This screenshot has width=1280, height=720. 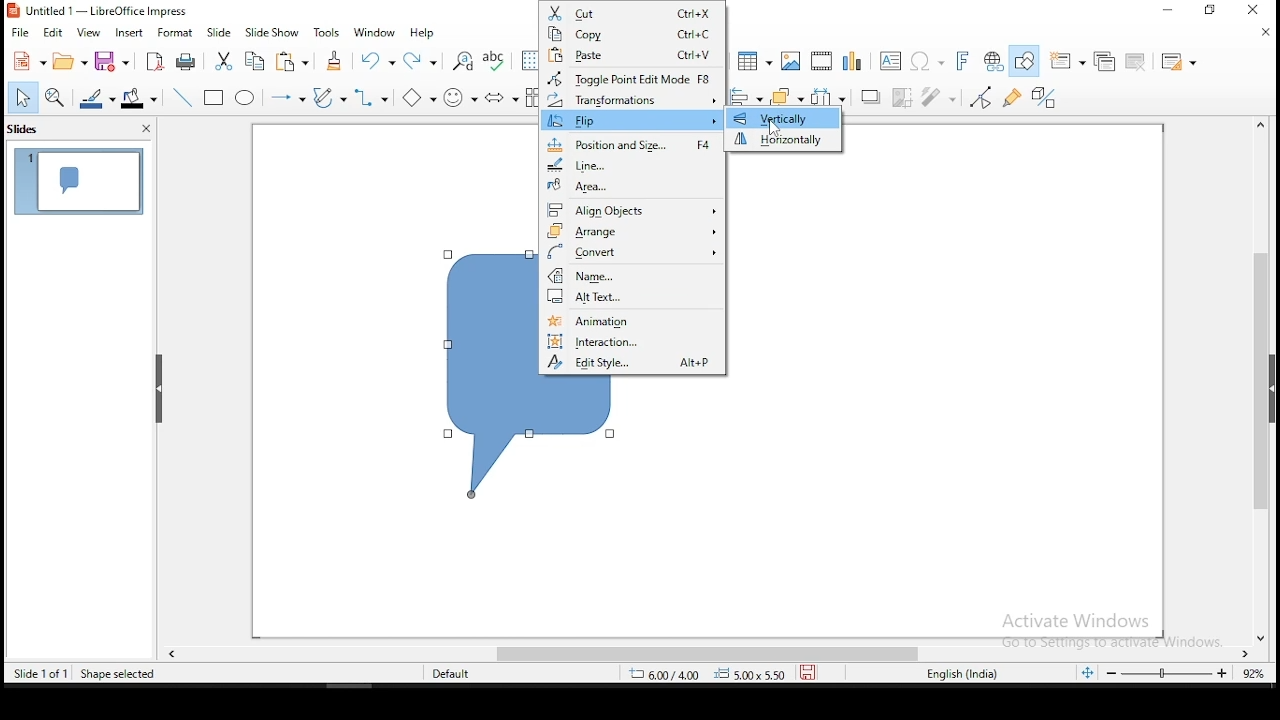 What do you see at coordinates (633, 341) in the screenshot?
I see `interaction` at bounding box center [633, 341].